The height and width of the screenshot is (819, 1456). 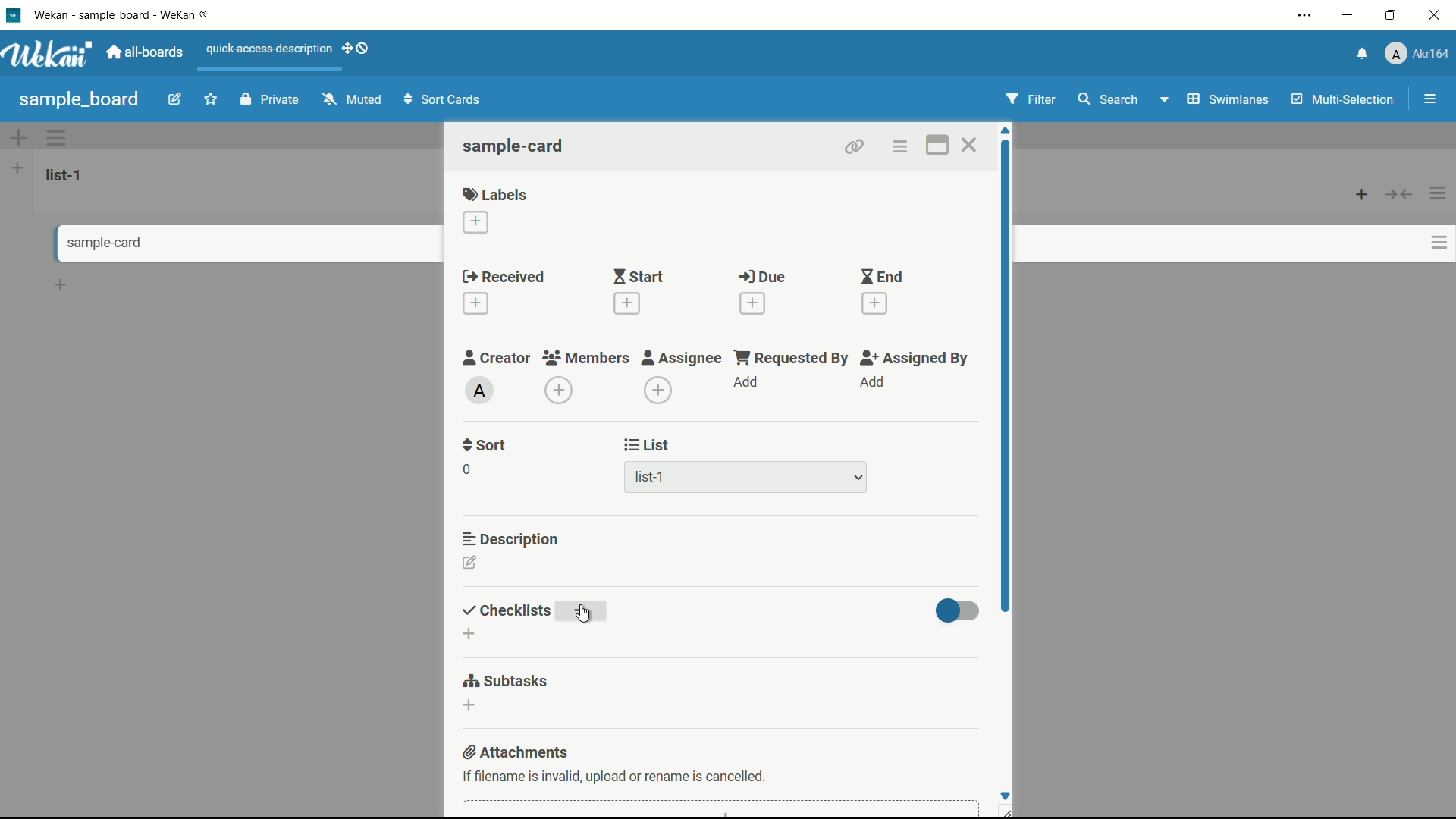 I want to click on list-1, so click(x=67, y=174).